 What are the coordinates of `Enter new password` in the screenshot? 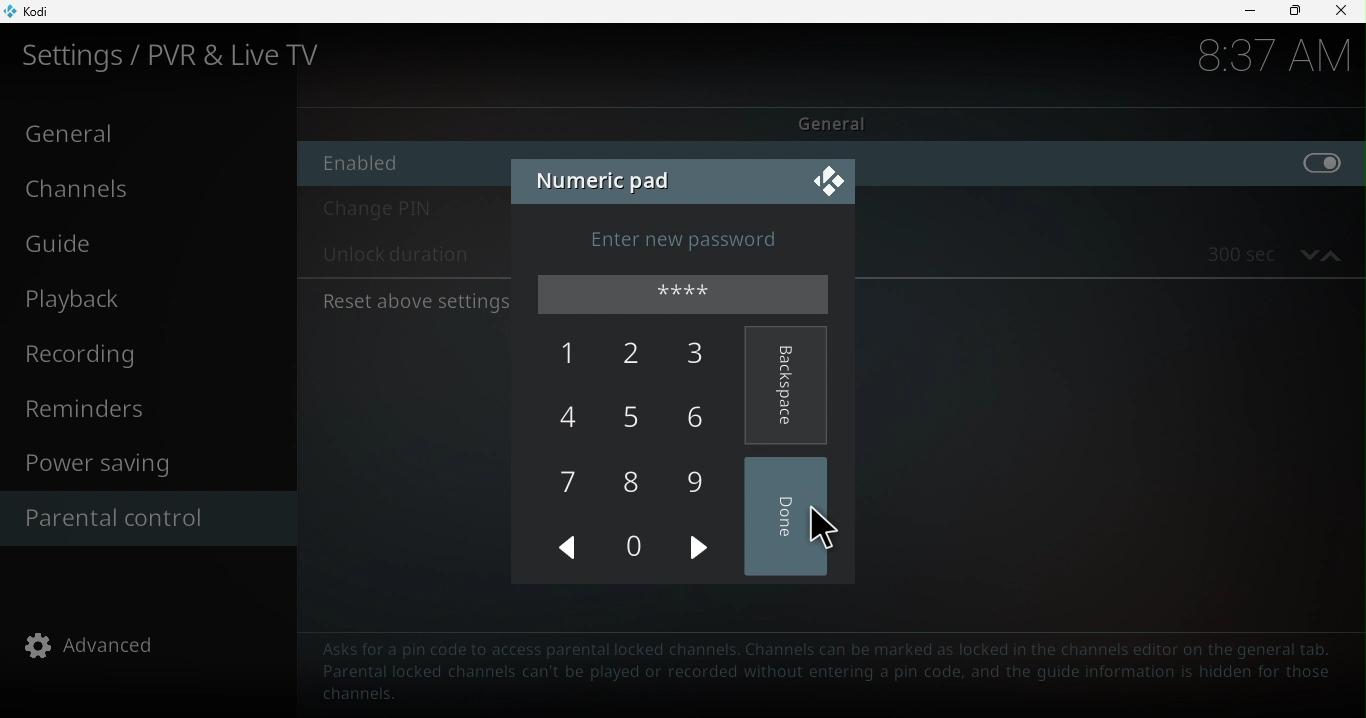 It's located at (705, 238).